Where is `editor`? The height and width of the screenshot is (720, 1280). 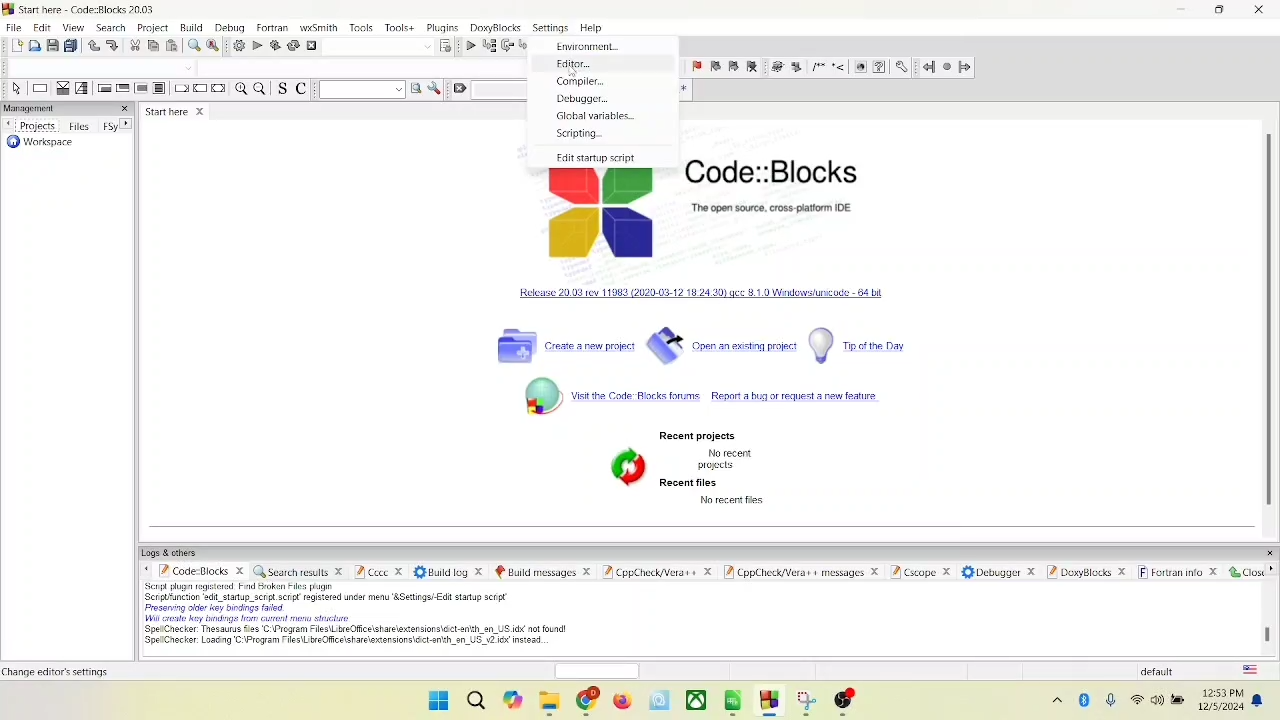
editor is located at coordinates (606, 65).